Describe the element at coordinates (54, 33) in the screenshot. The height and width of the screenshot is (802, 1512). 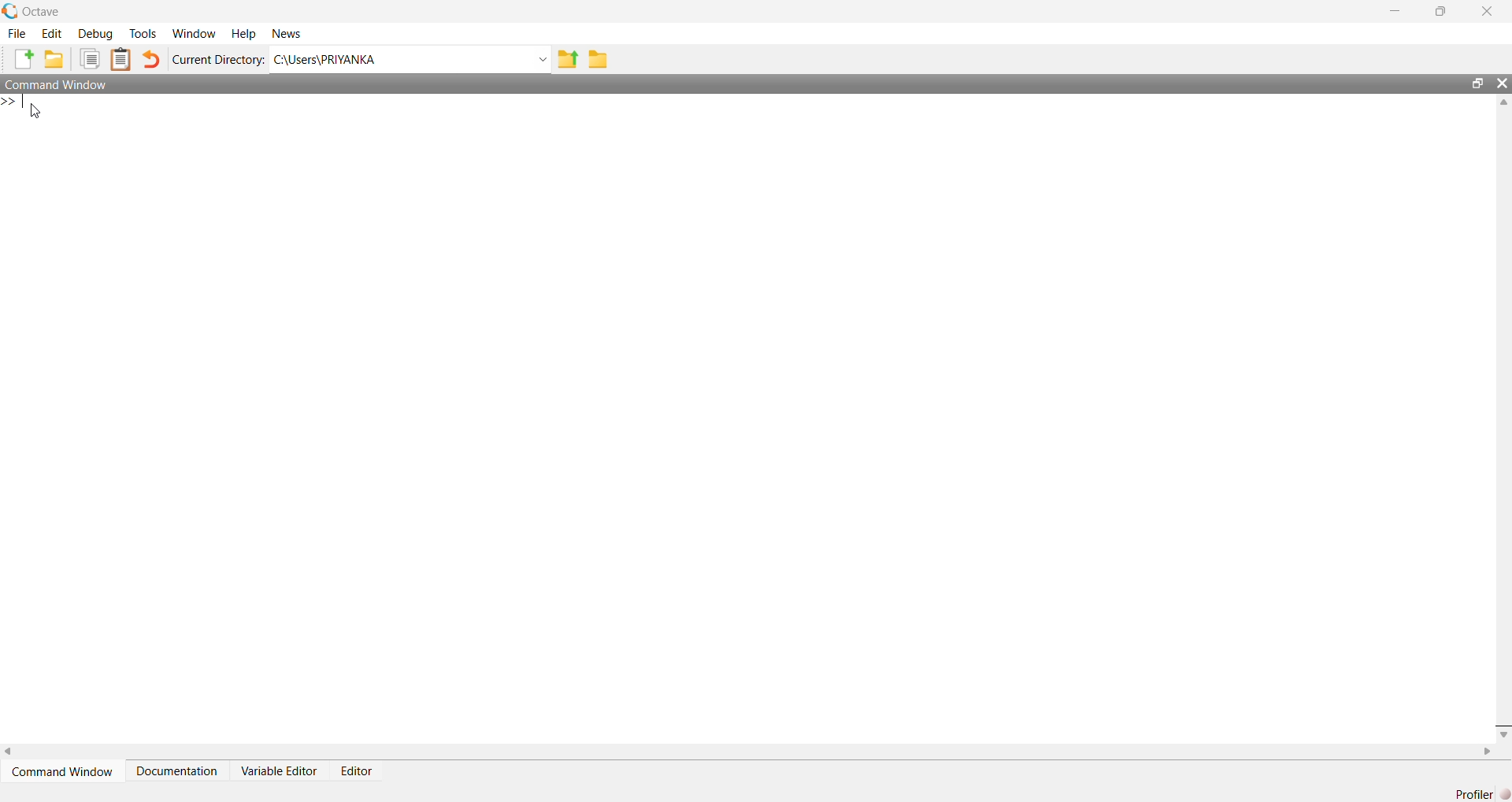
I see `edit` at that location.